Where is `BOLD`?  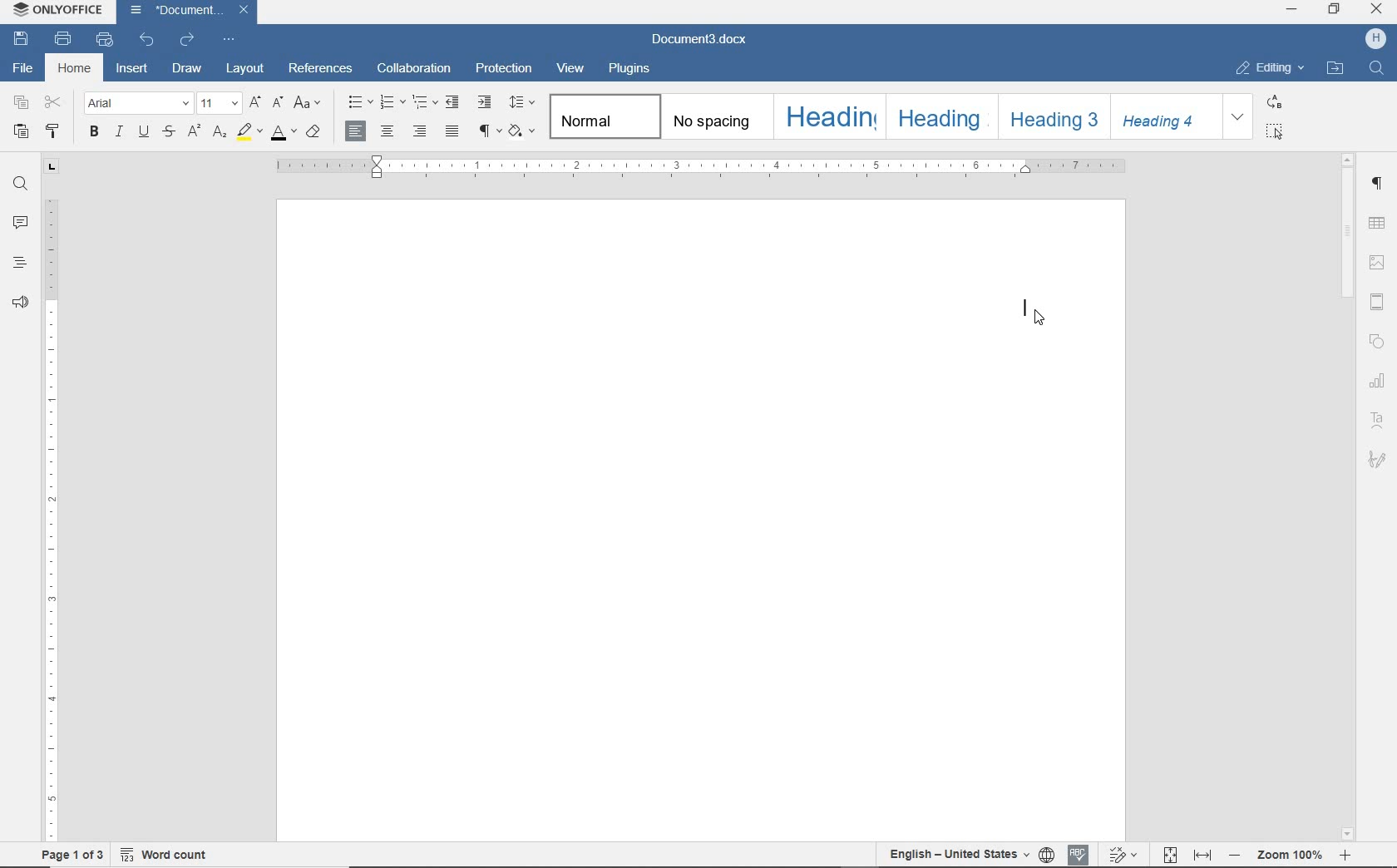
BOLD is located at coordinates (94, 133).